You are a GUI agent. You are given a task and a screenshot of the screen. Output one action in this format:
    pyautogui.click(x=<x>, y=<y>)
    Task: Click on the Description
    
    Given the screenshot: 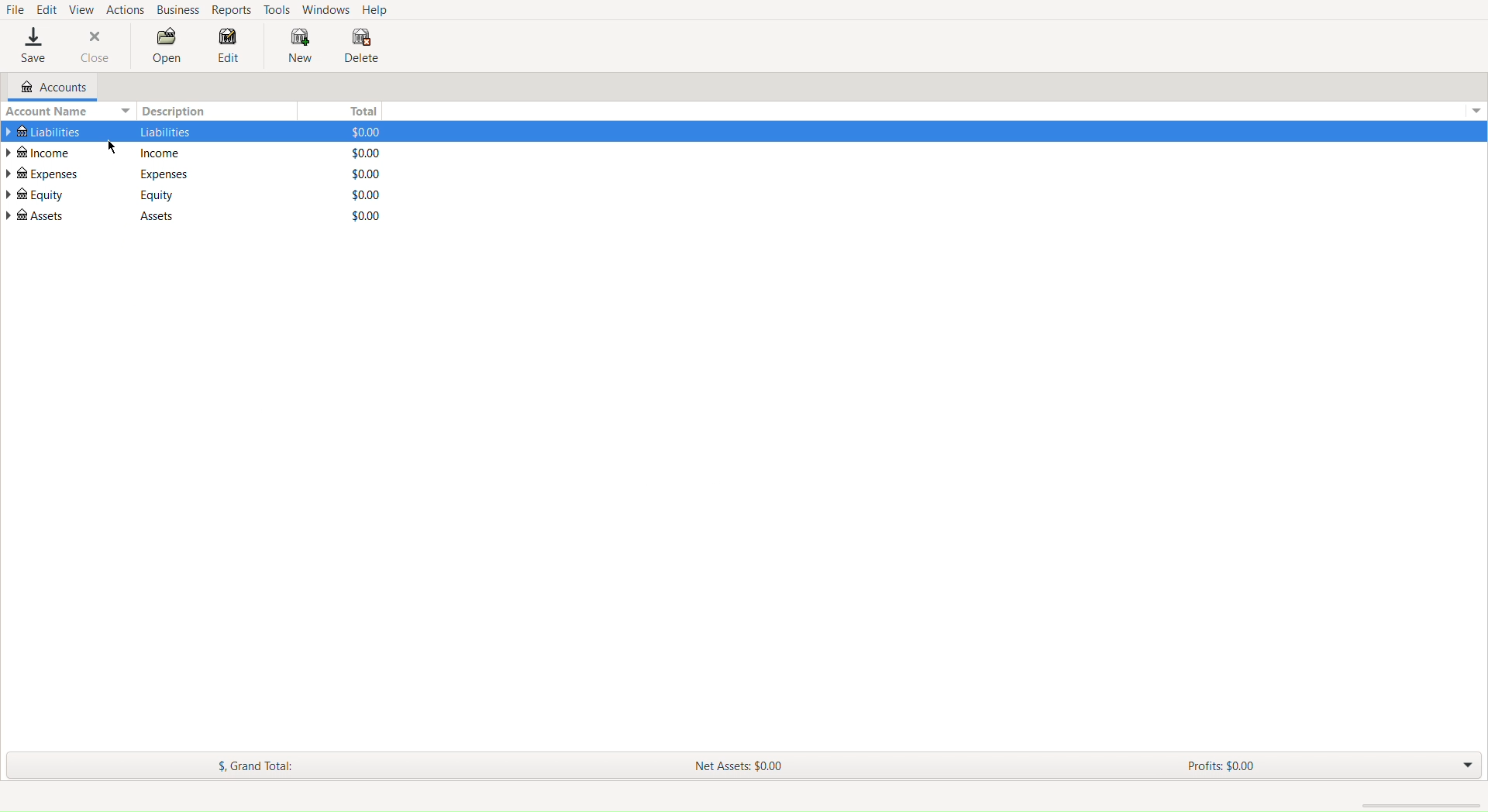 What is the action you would take?
    pyautogui.click(x=161, y=153)
    